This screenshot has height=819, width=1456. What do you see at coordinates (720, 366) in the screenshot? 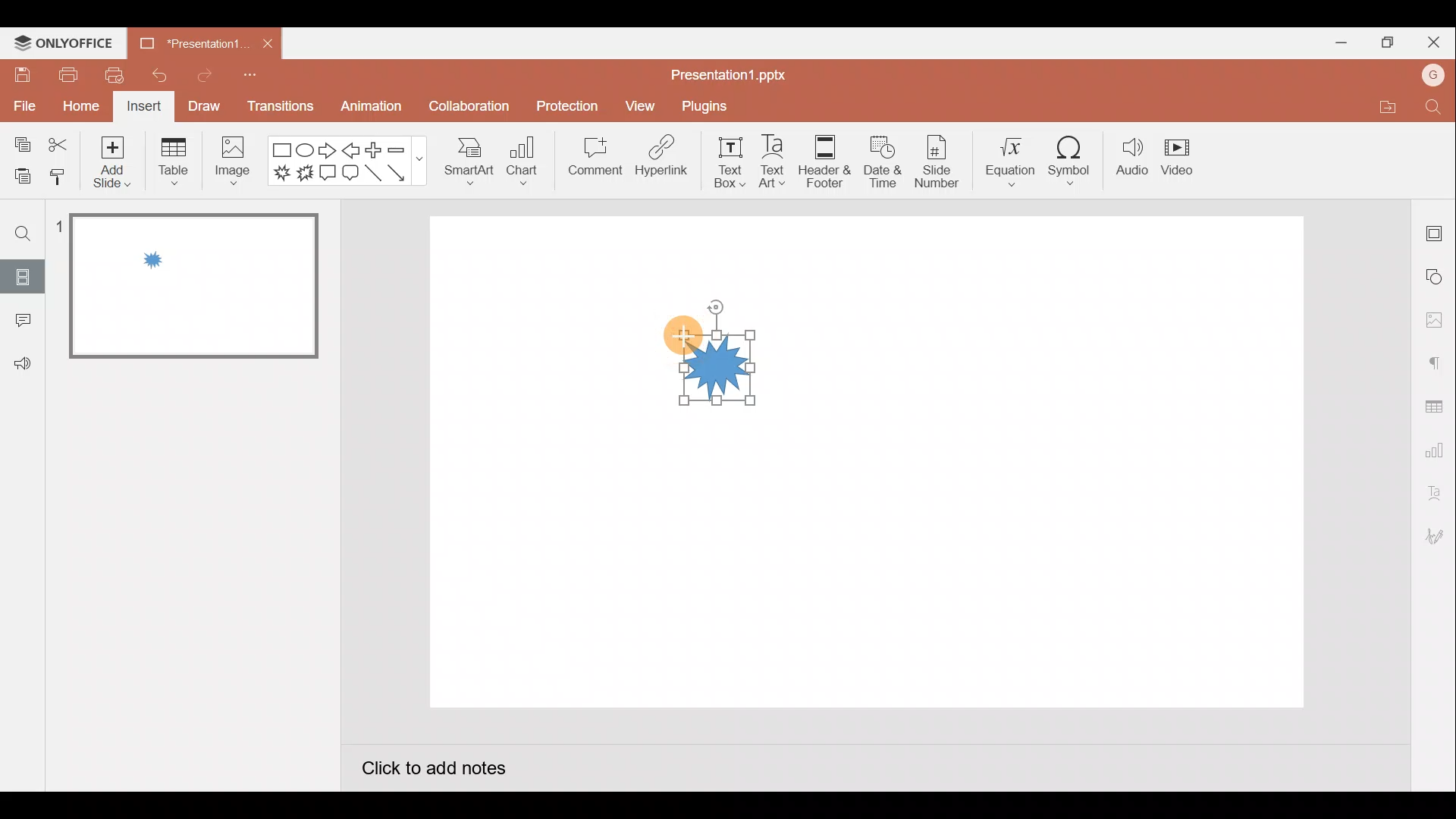
I see `Explosion Shape 1` at bounding box center [720, 366].